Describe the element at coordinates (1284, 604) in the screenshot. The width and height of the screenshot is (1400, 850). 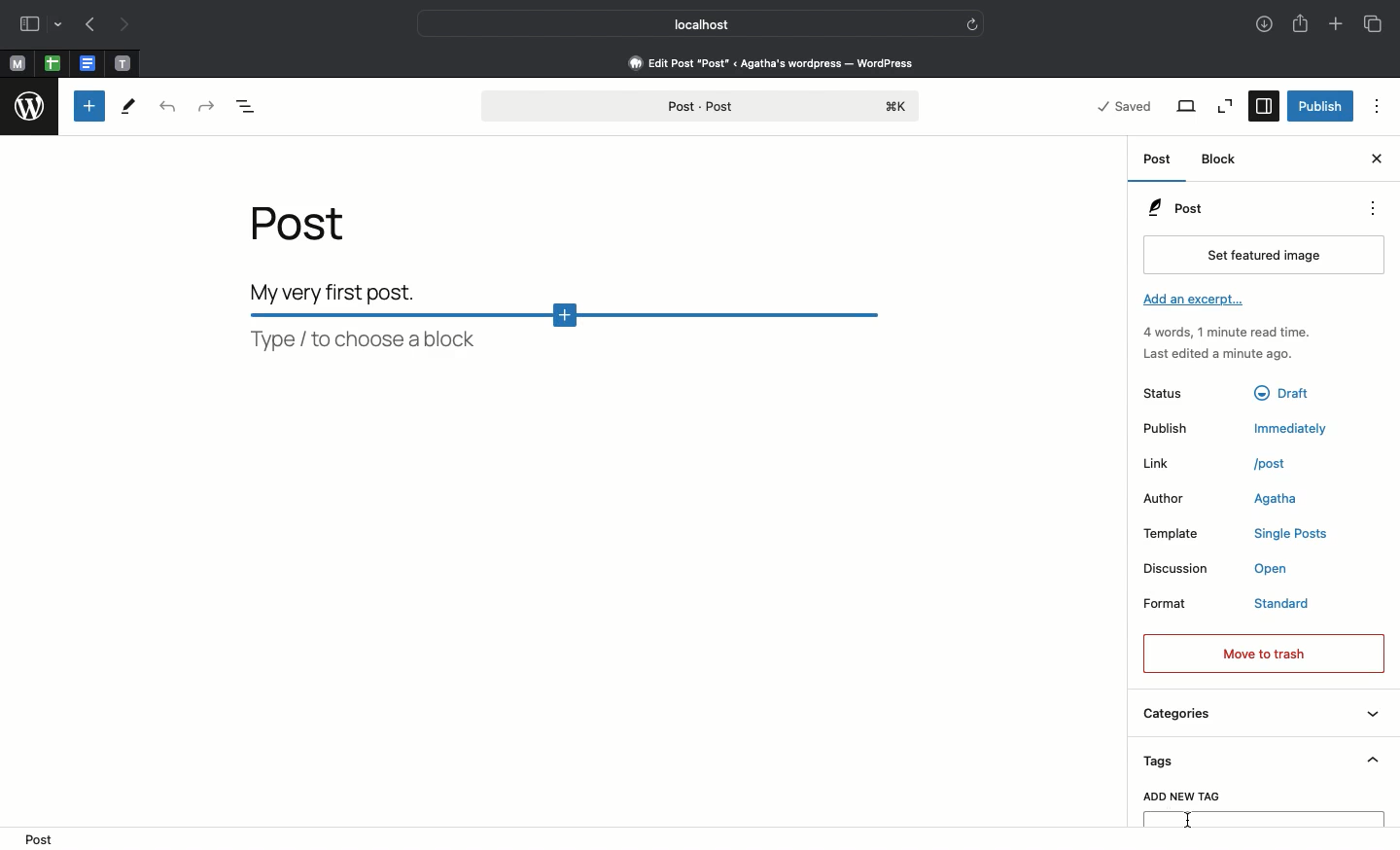
I see `standard` at that location.